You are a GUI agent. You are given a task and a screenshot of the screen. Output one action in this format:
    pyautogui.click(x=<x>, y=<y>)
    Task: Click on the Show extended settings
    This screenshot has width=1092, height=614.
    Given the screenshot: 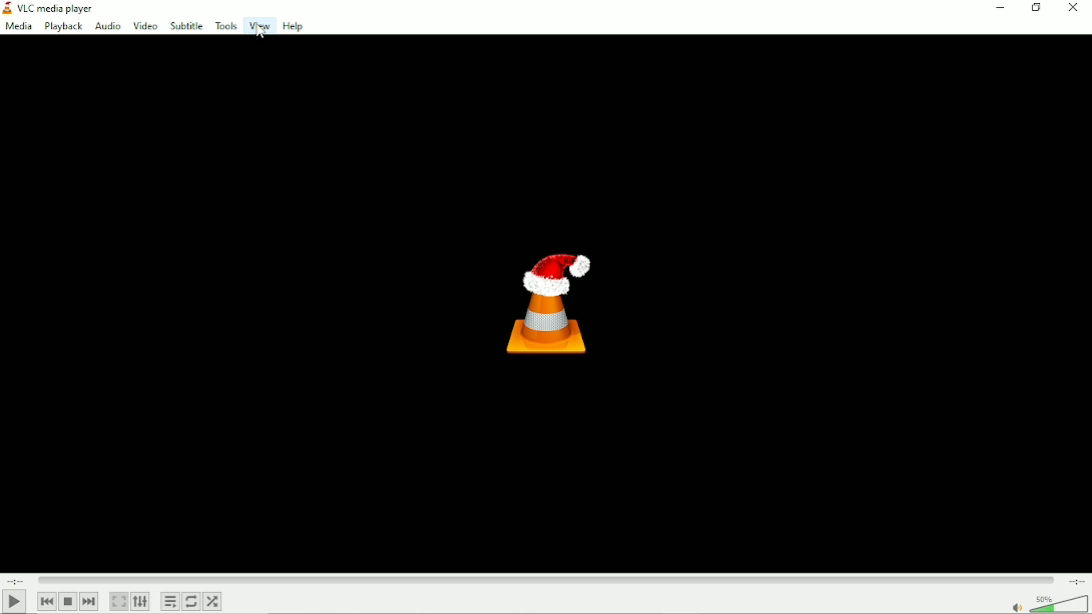 What is the action you would take?
    pyautogui.click(x=139, y=602)
    